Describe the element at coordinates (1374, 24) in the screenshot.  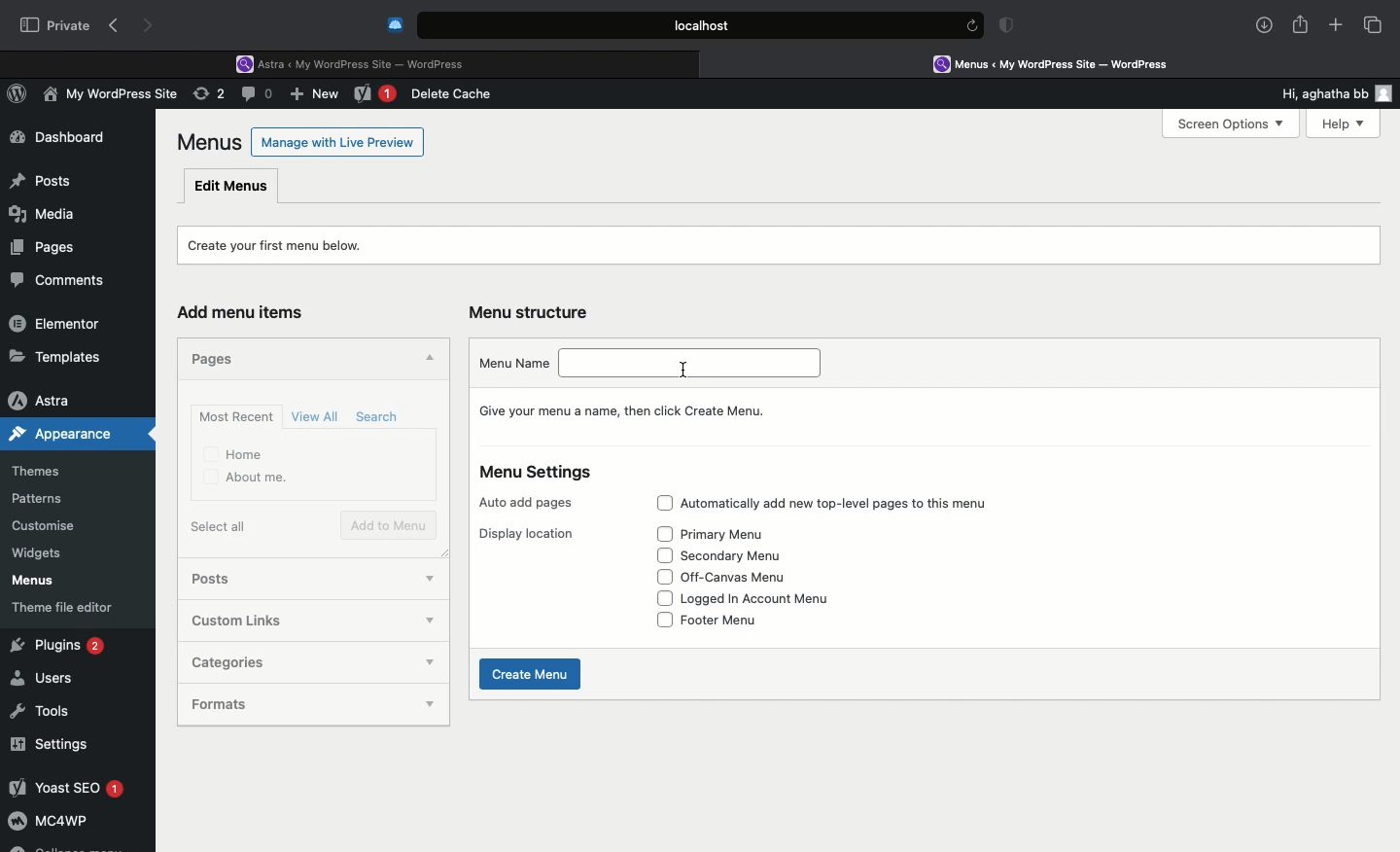
I see `Tabs` at that location.